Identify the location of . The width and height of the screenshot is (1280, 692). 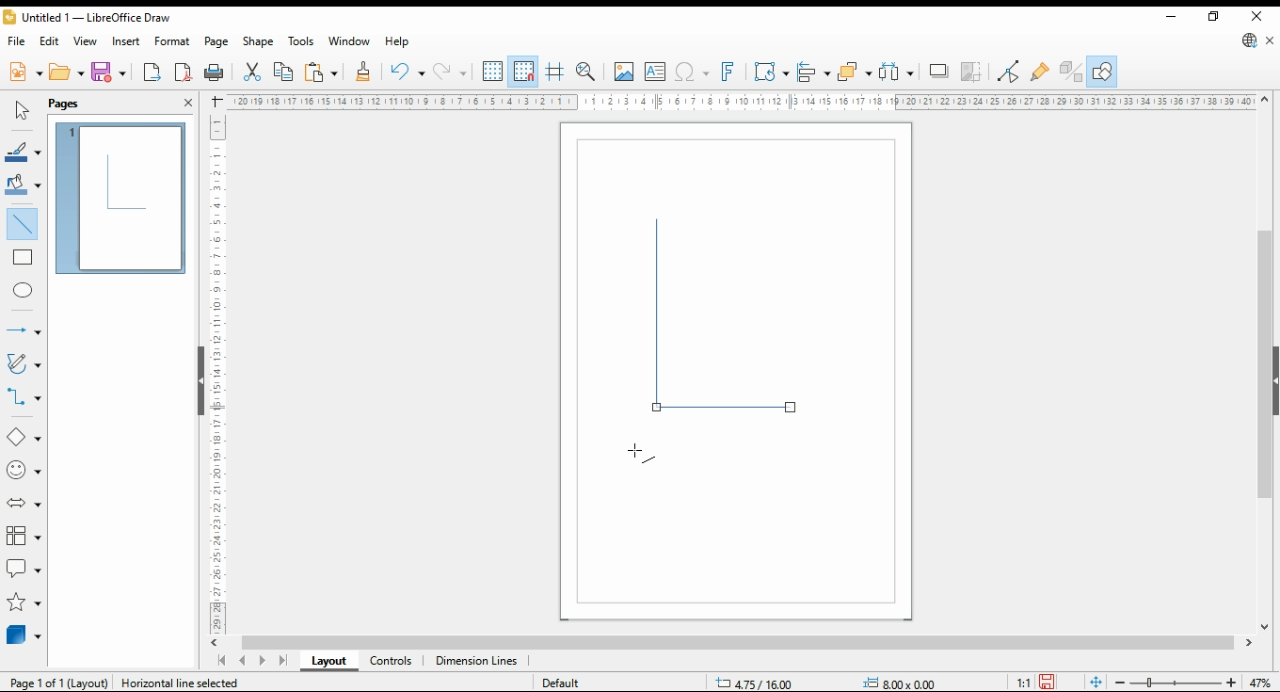
(890, 683).